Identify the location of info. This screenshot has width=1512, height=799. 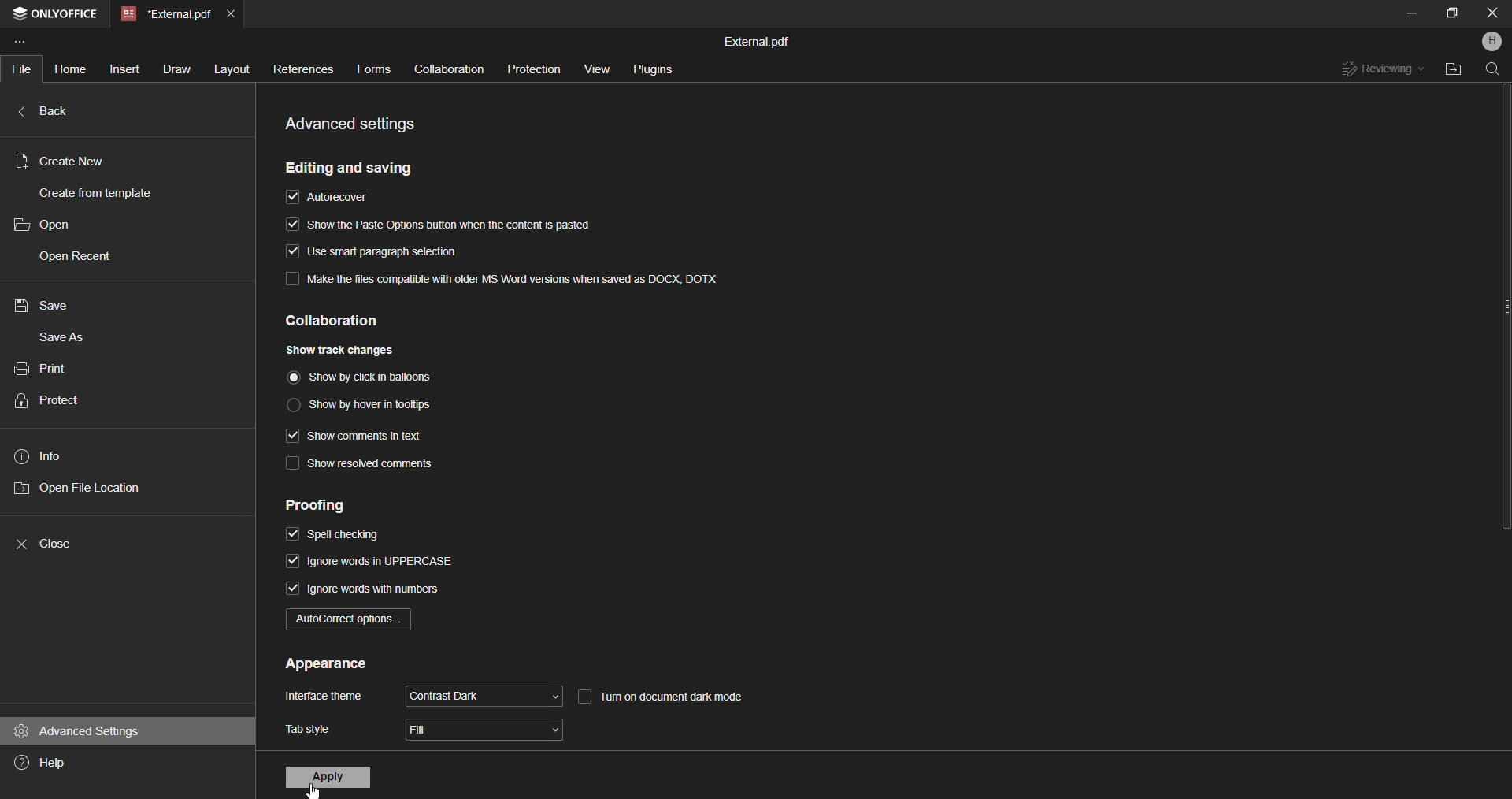
(42, 455).